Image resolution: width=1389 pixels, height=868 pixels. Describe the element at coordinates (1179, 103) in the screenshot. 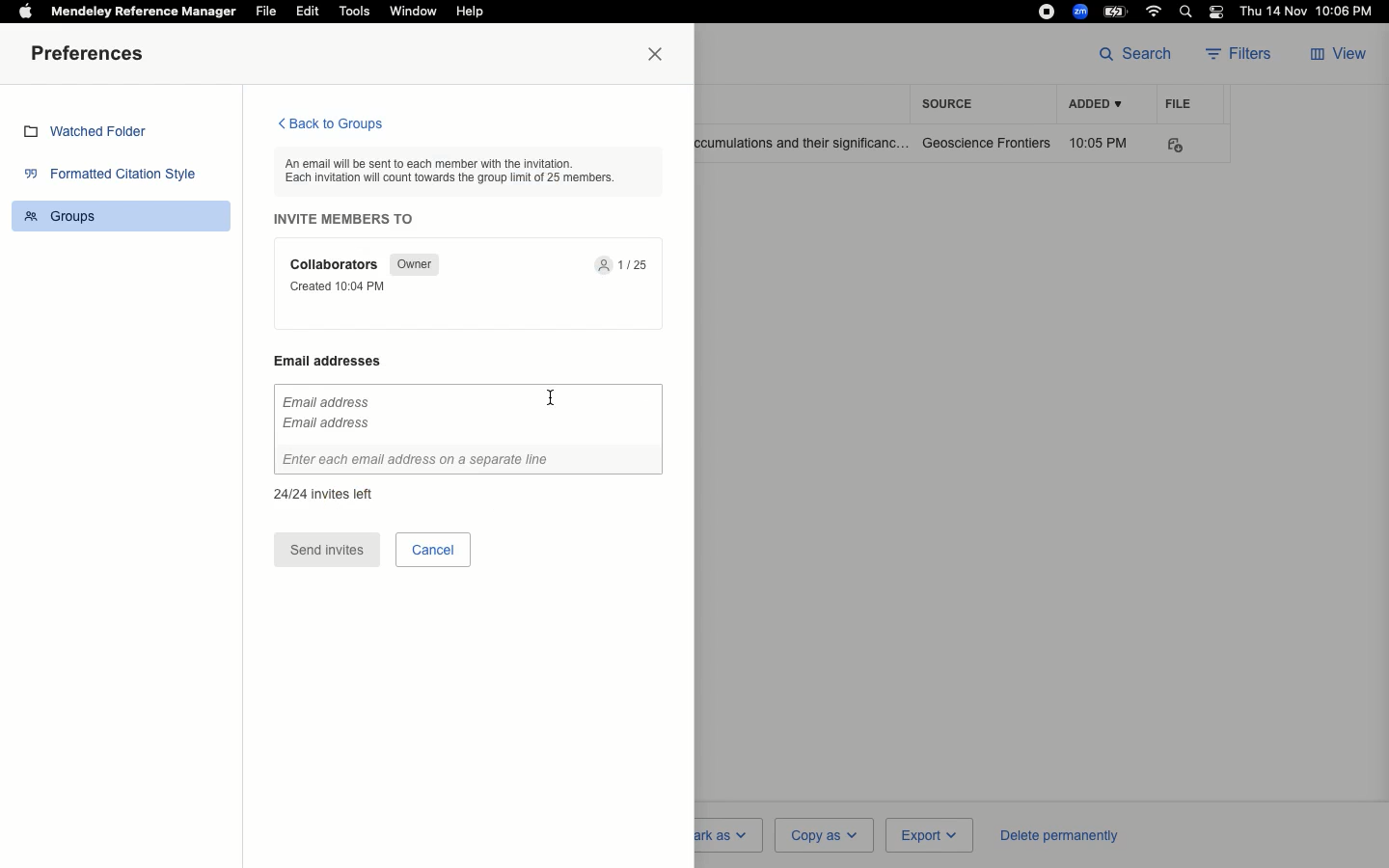

I see `File` at that location.